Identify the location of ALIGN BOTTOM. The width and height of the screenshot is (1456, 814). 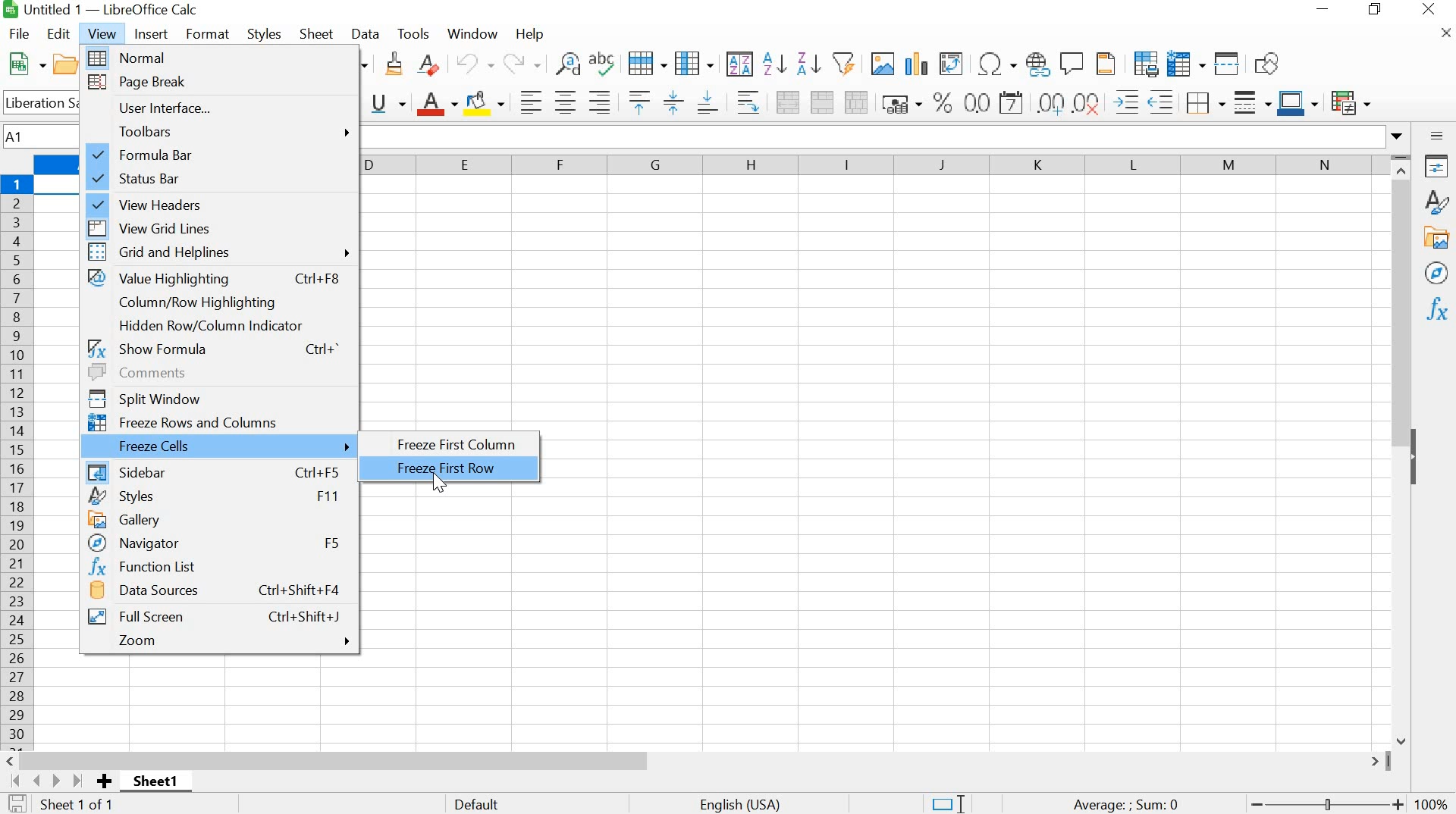
(708, 101).